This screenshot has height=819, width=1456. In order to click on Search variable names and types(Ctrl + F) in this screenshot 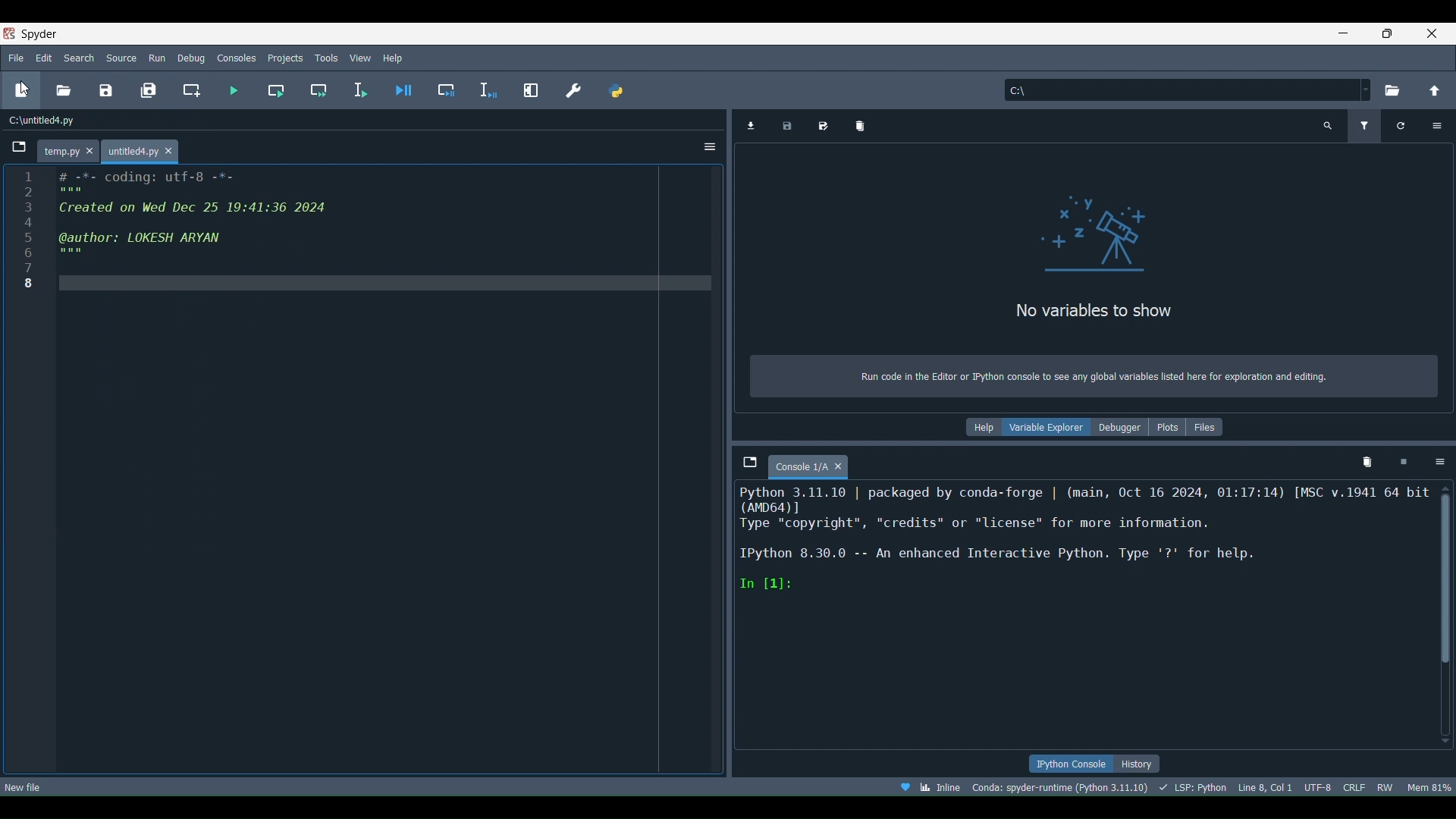, I will do `click(1325, 127)`.